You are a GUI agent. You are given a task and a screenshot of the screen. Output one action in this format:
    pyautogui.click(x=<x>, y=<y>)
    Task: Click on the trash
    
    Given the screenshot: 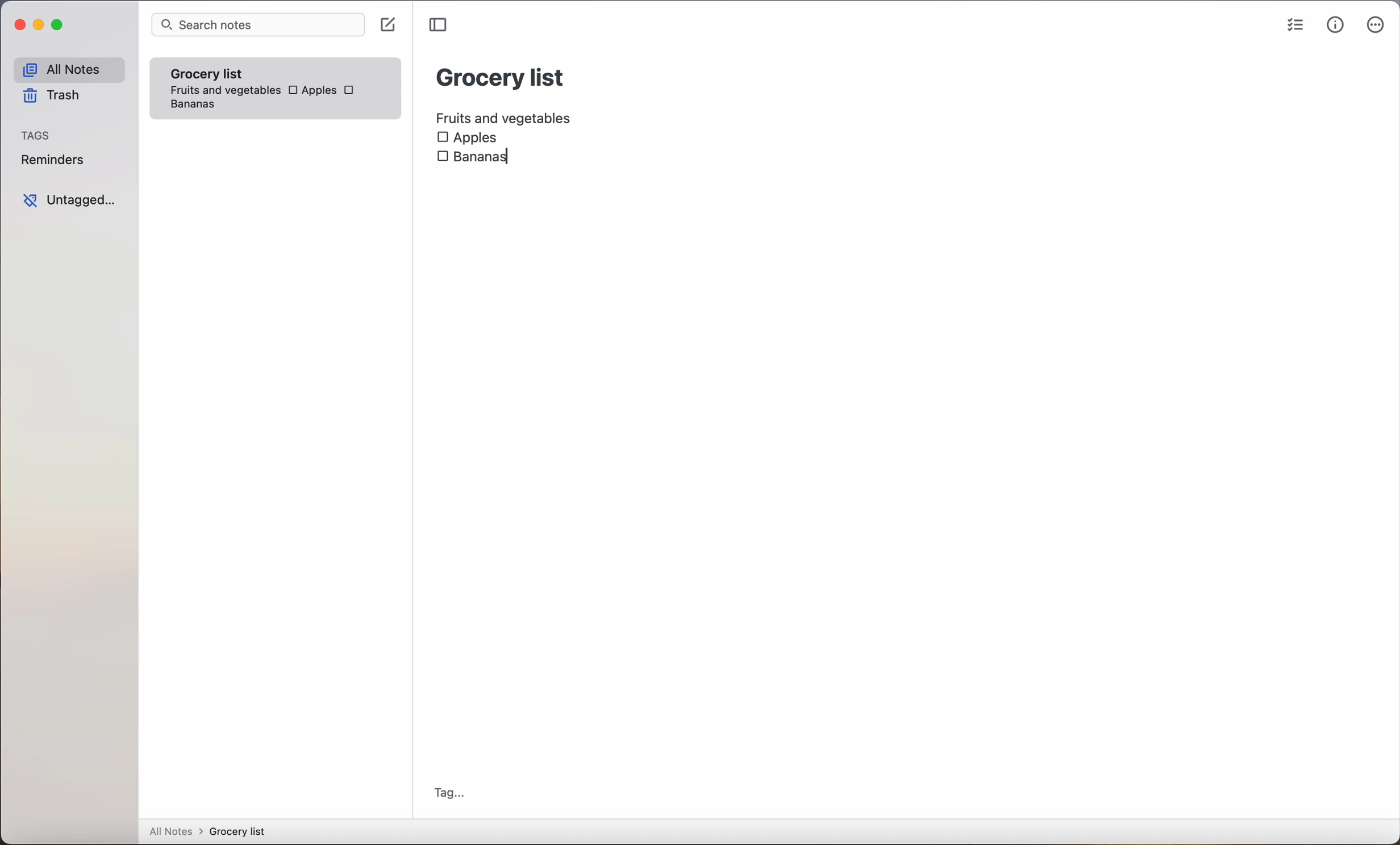 What is the action you would take?
    pyautogui.click(x=50, y=98)
    